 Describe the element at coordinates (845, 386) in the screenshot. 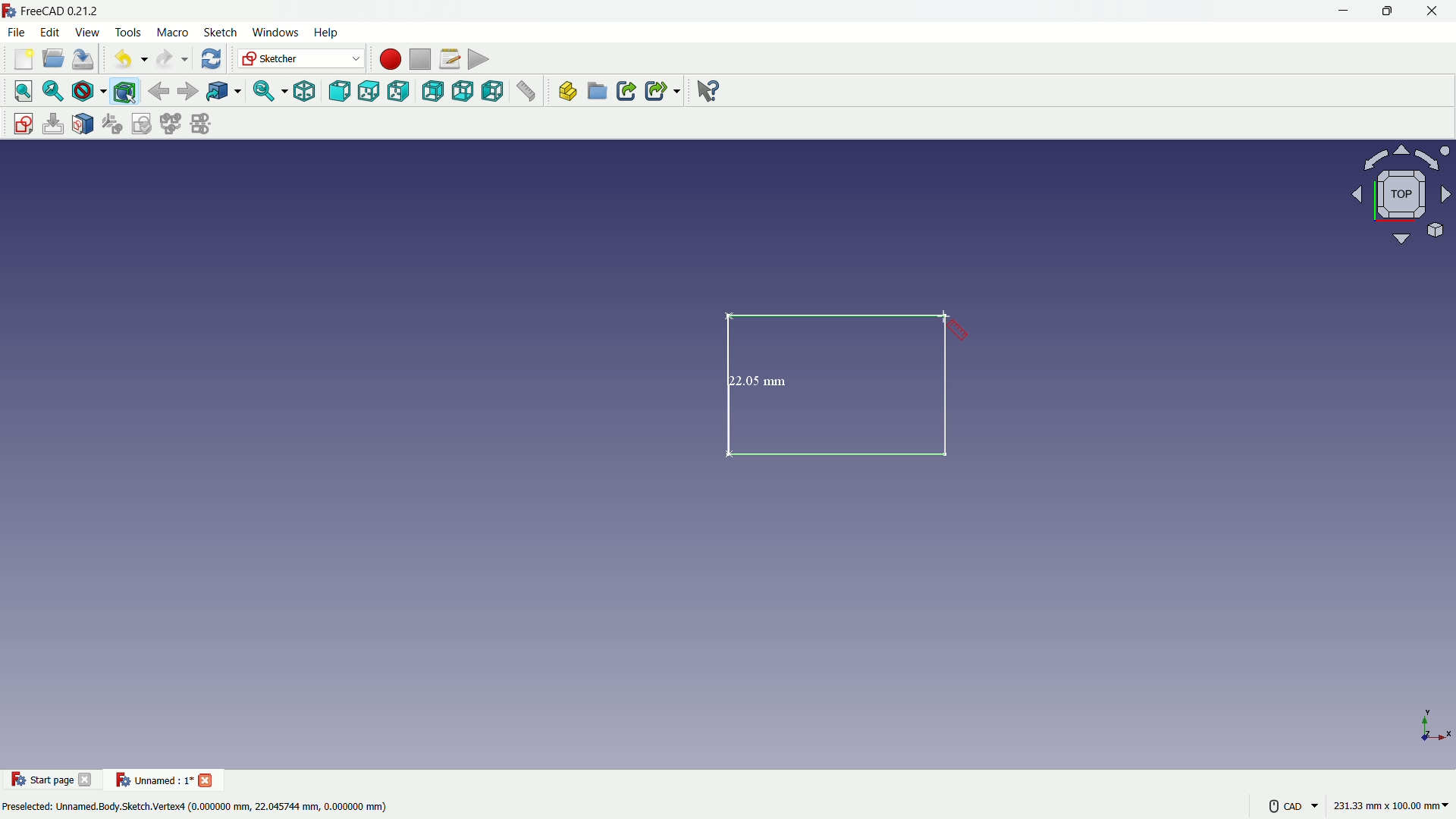

I see `rectangle` at that location.